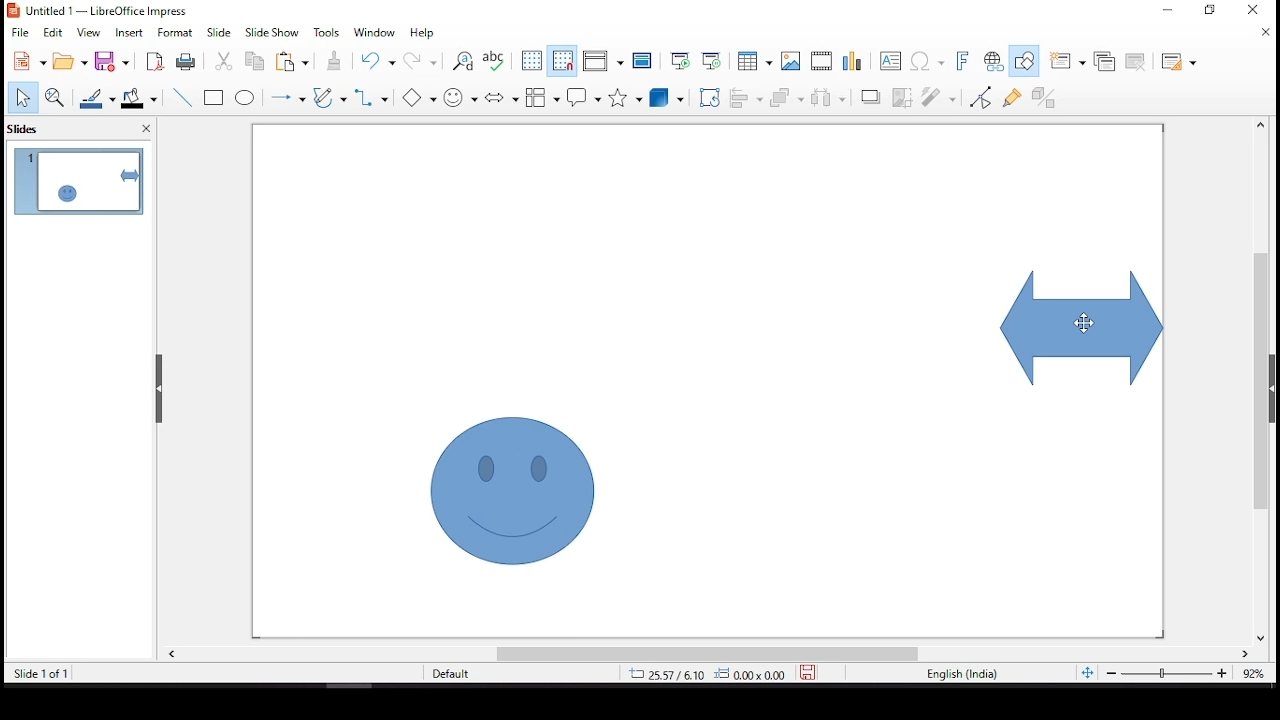 Image resolution: width=1280 pixels, height=720 pixels. What do you see at coordinates (824, 96) in the screenshot?
I see `distribute` at bounding box center [824, 96].